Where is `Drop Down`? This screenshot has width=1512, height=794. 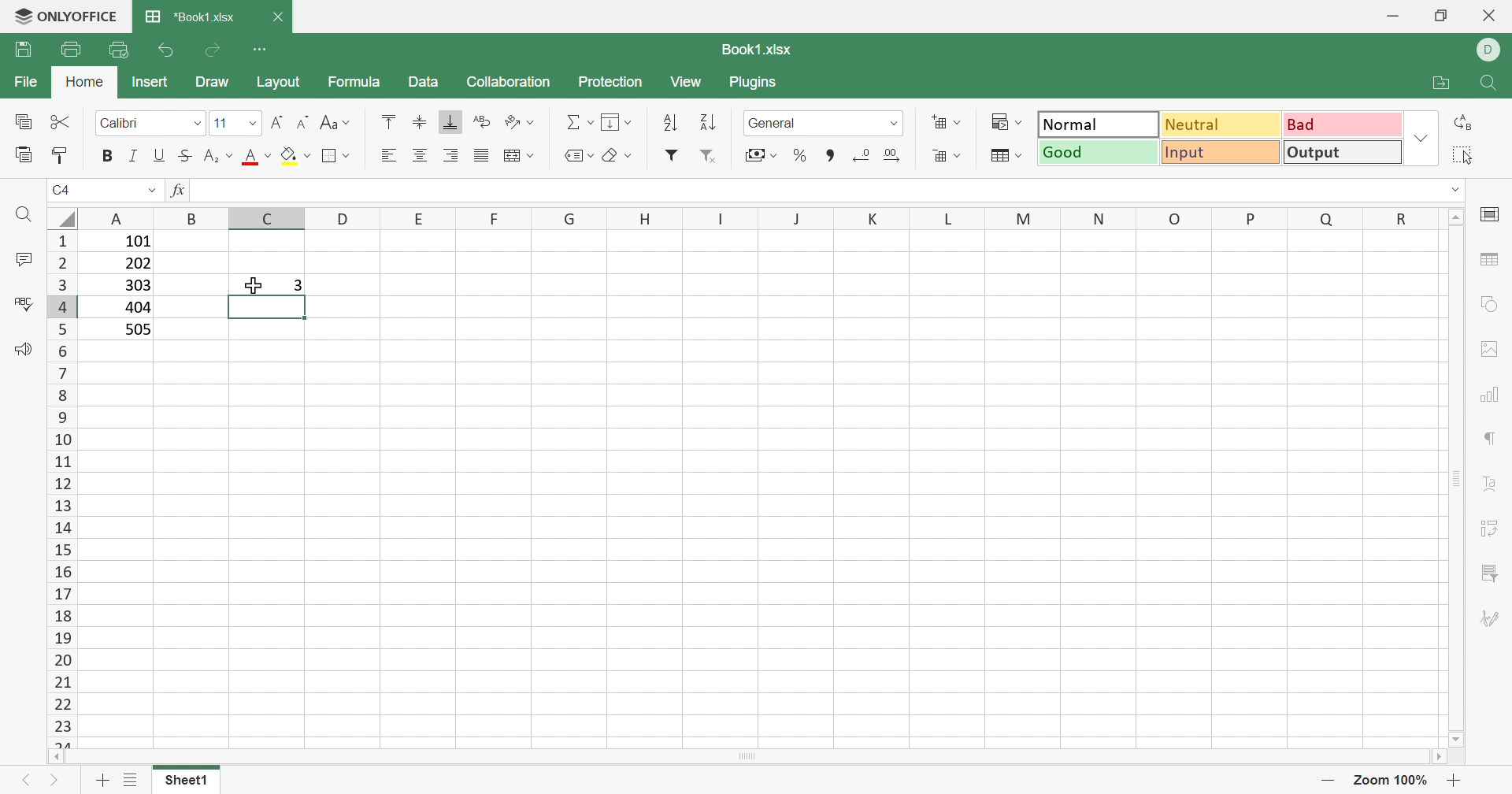 Drop Down is located at coordinates (894, 123).